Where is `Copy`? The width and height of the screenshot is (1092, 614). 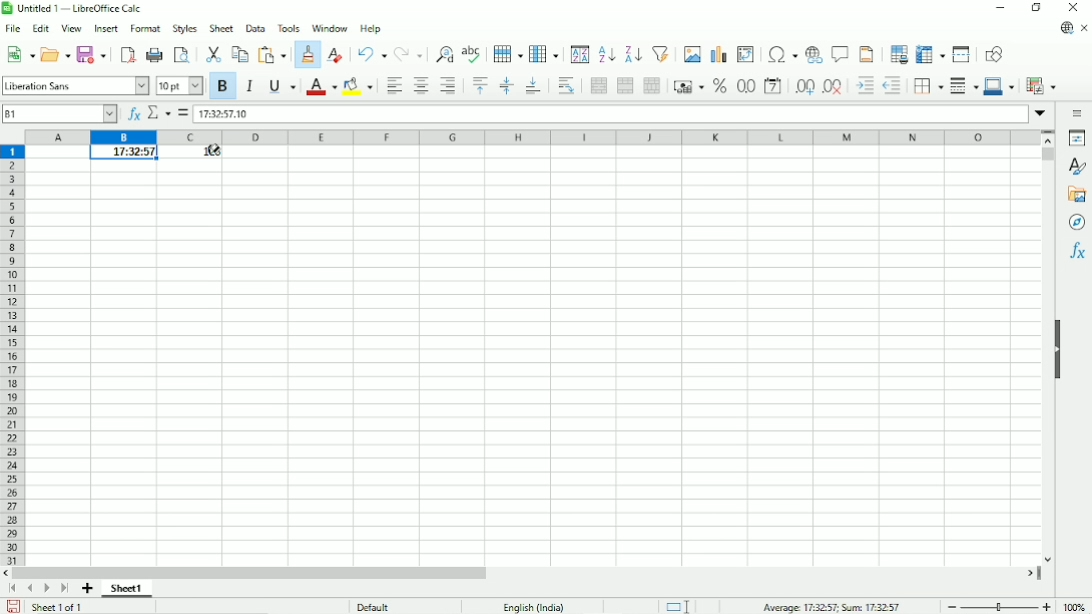
Copy is located at coordinates (240, 54).